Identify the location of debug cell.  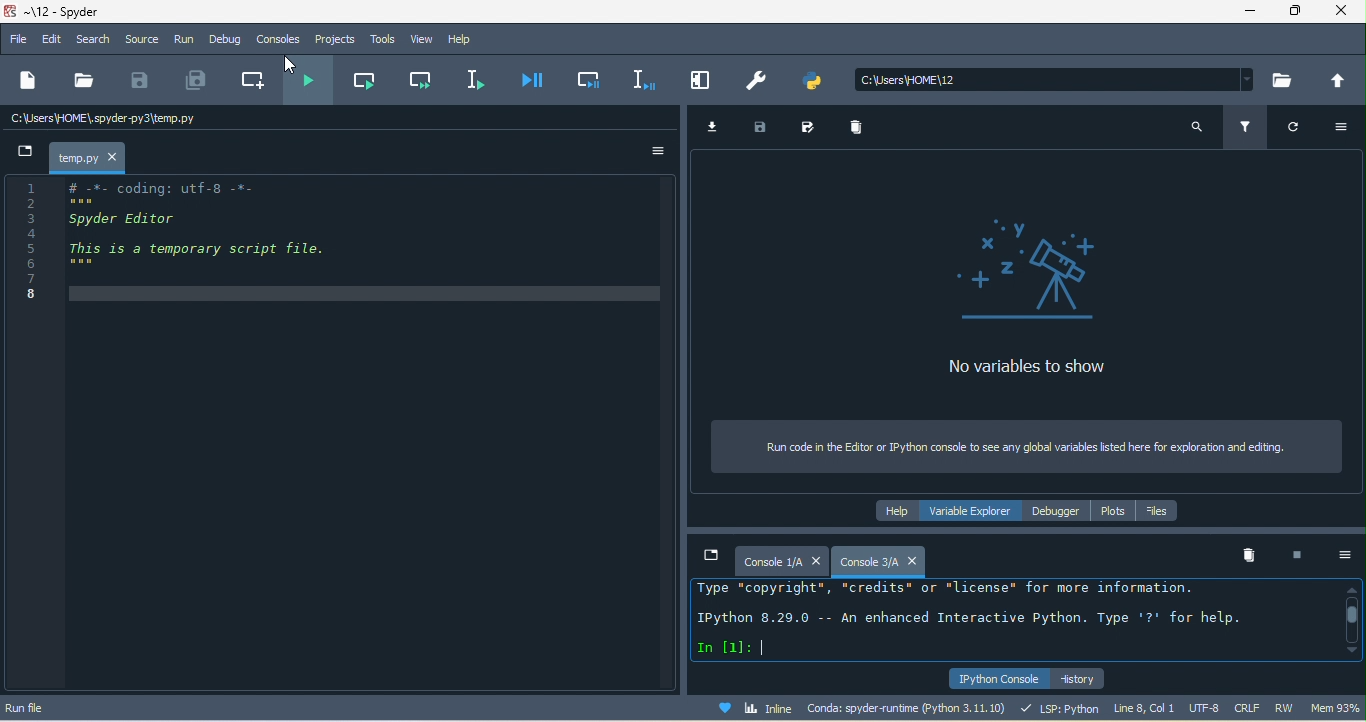
(593, 83).